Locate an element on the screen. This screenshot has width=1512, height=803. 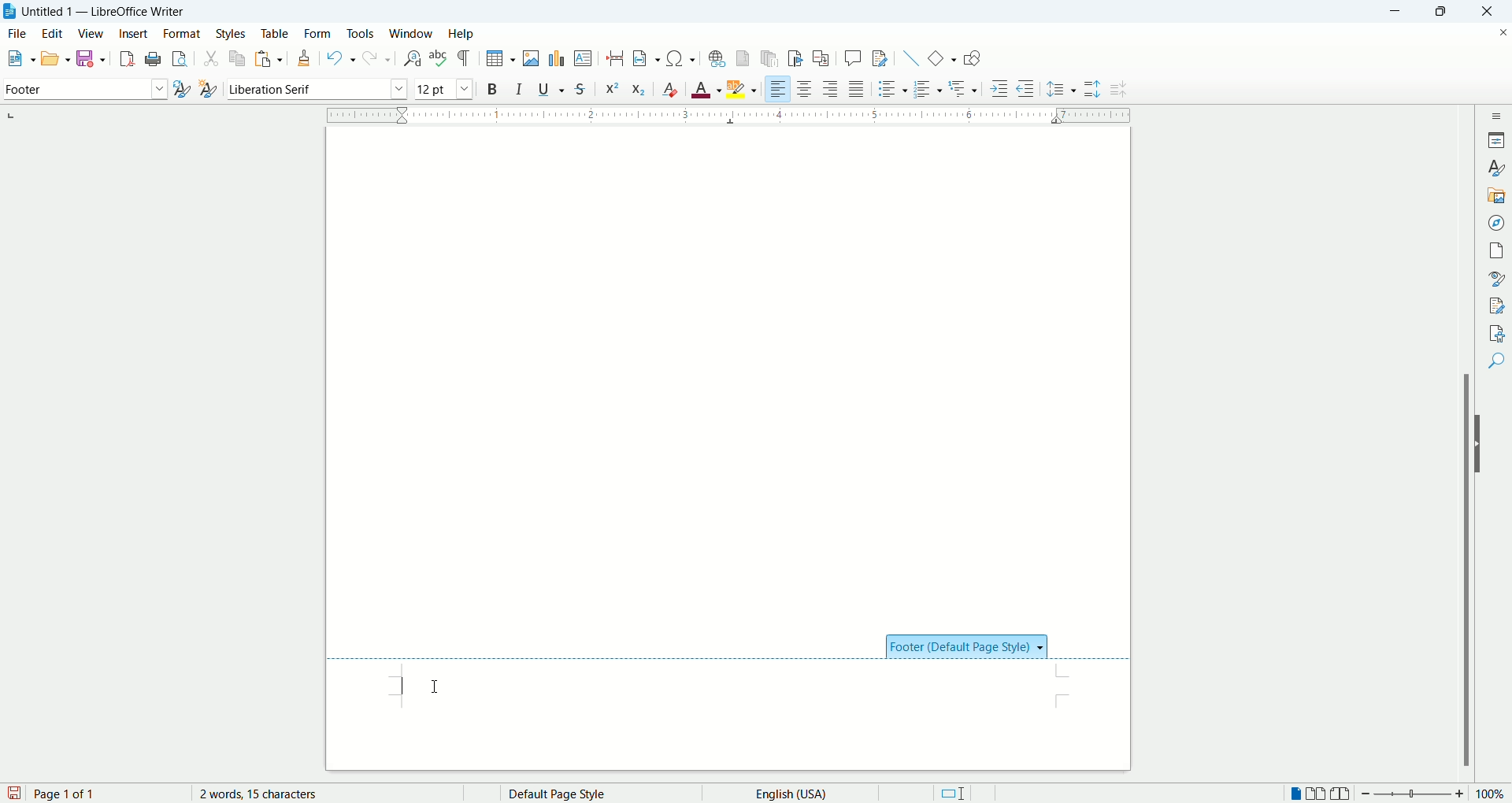
font size is located at coordinates (443, 88).